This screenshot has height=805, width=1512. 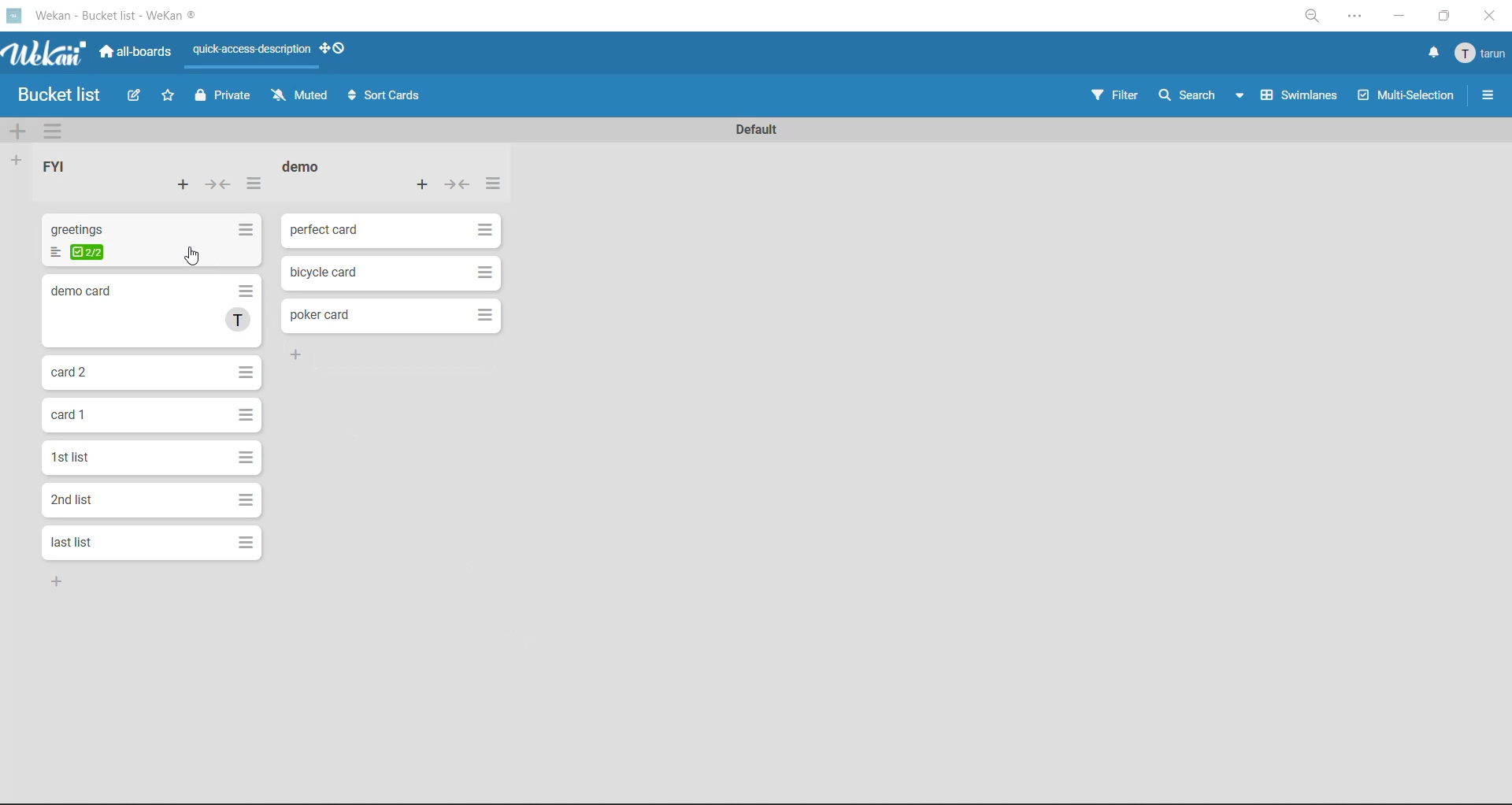 What do you see at coordinates (171, 95) in the screenshot?
I see `star` at bounding box center [171, 95].